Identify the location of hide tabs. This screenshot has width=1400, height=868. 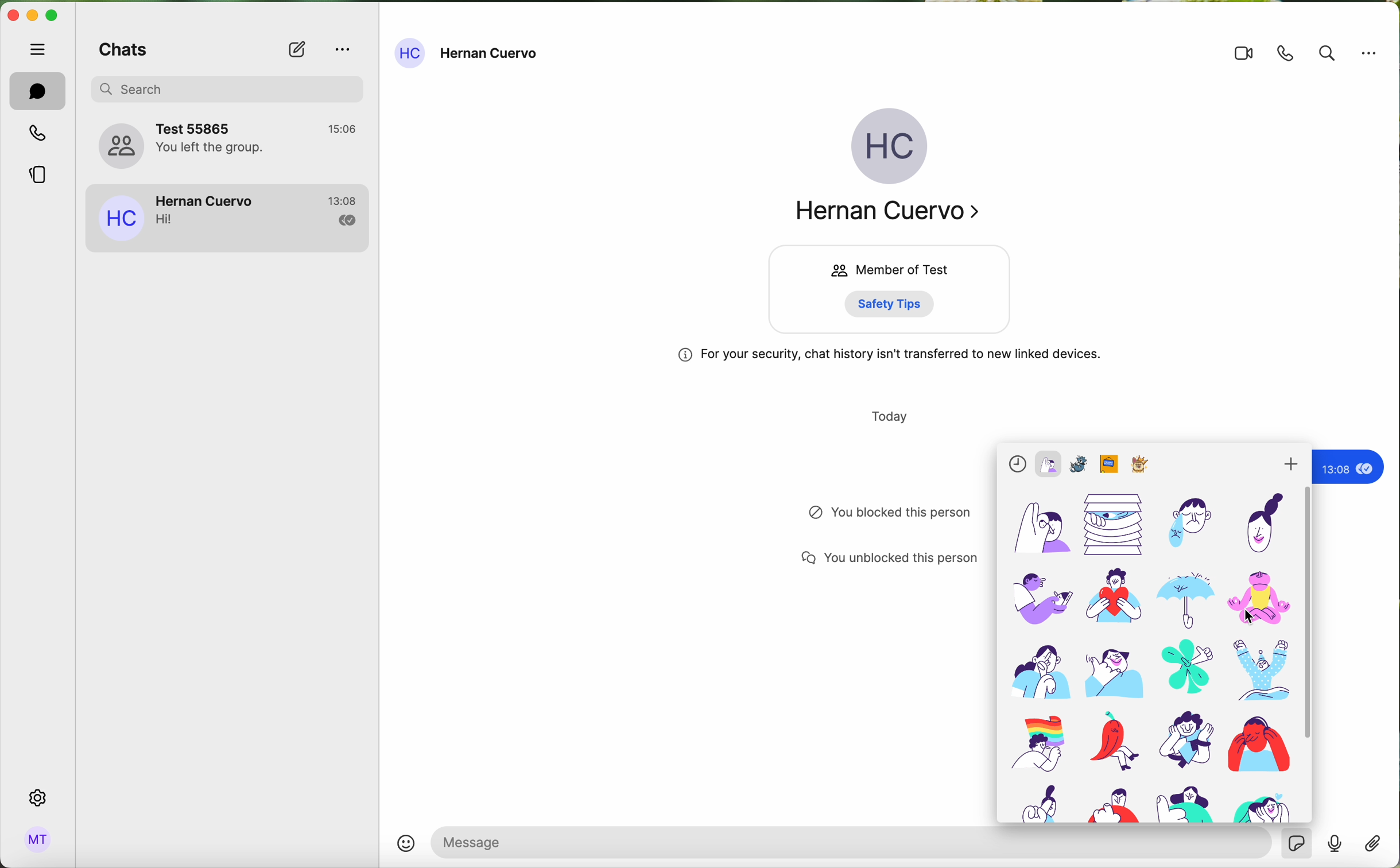
(39, 49).